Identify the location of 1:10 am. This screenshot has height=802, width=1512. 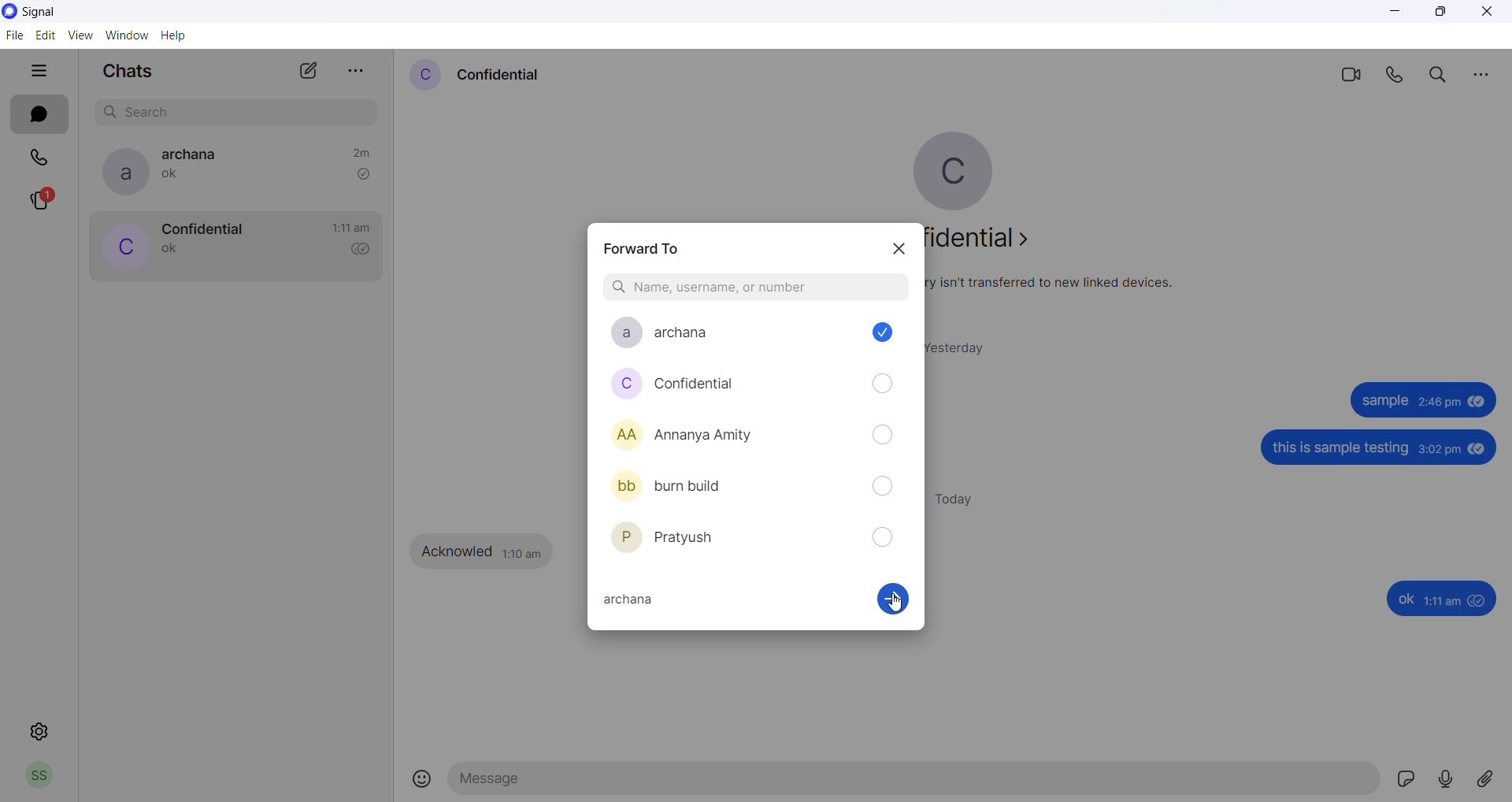
(523, 551).